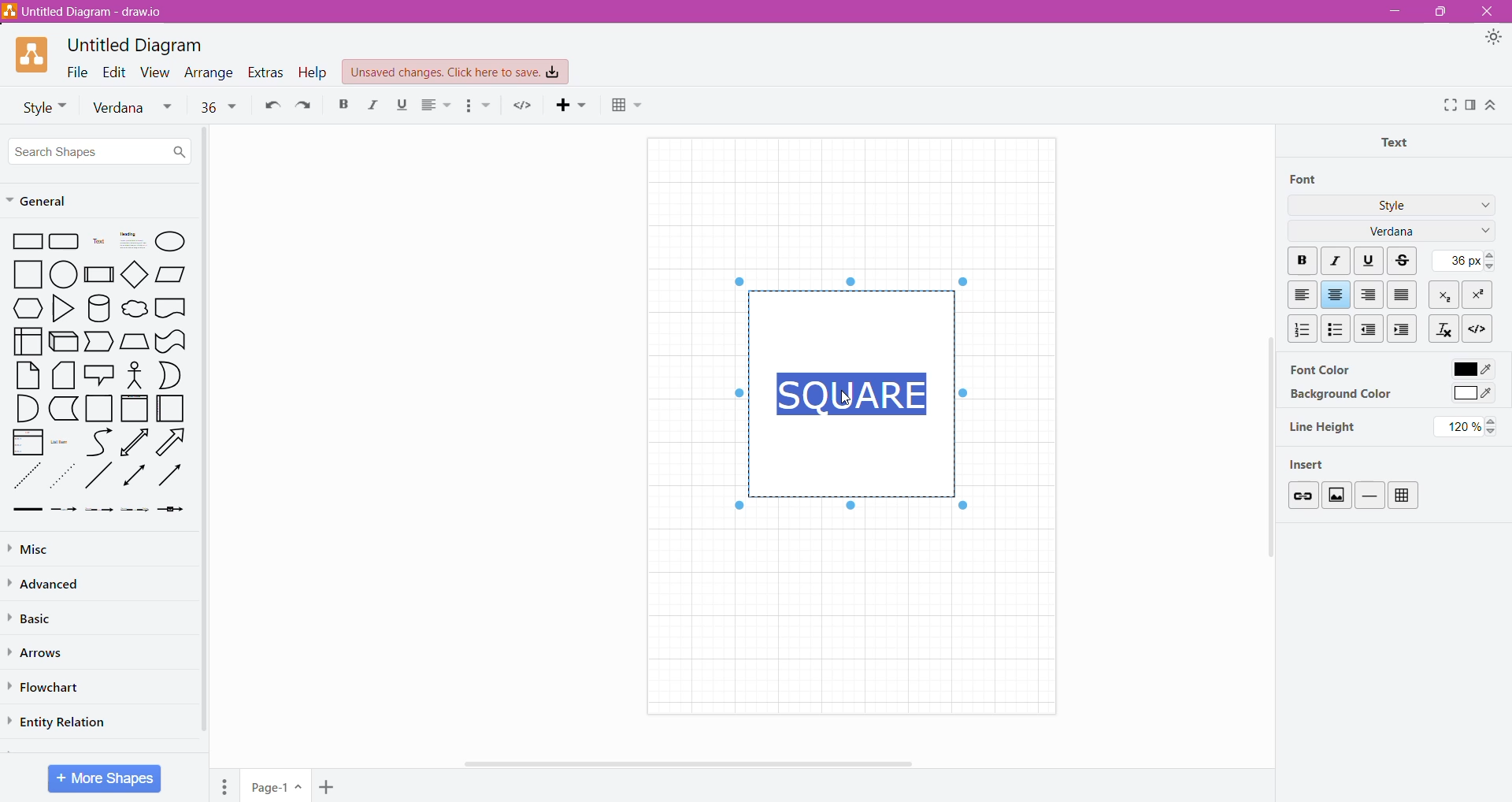 The image size is (1512, 802). What do you see at coordinates (1469, 426) in the screenshot?
I see `Set Line height` at bounding box center [1469, 426].